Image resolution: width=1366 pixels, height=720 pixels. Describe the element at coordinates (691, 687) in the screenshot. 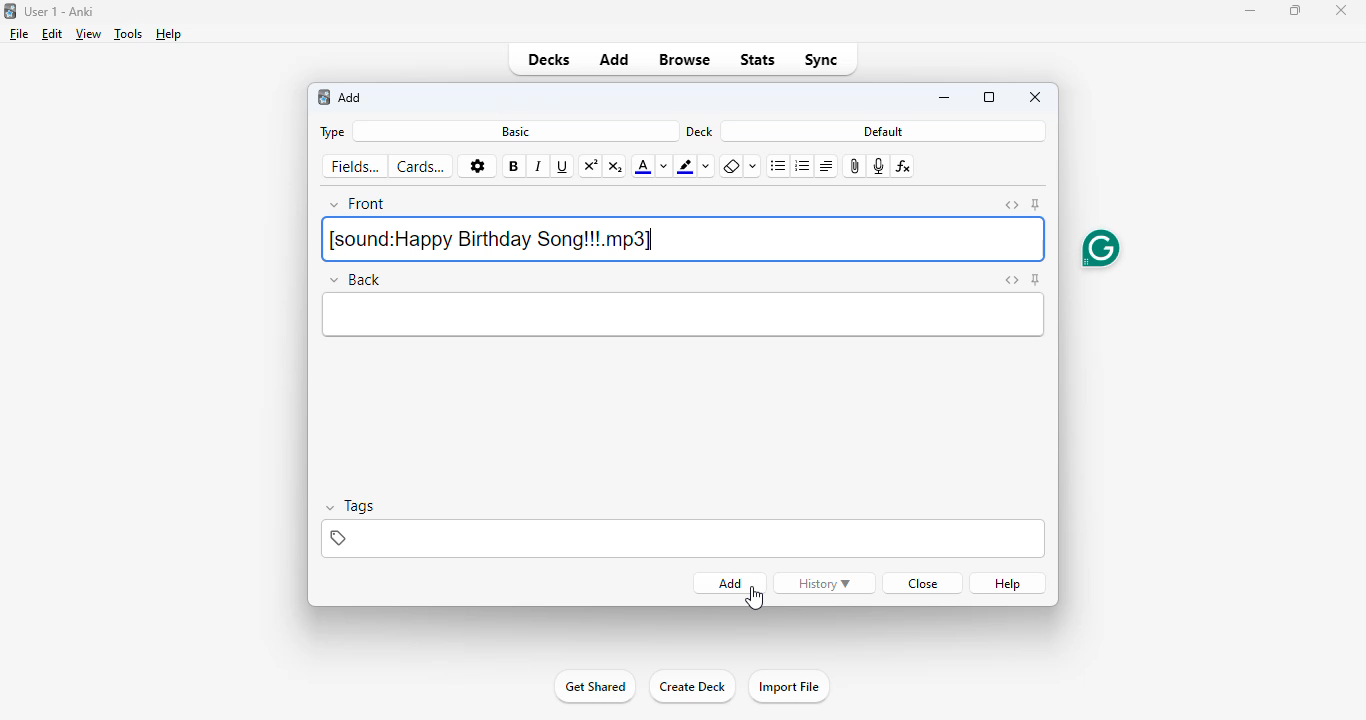

I see `create deck` at that location.